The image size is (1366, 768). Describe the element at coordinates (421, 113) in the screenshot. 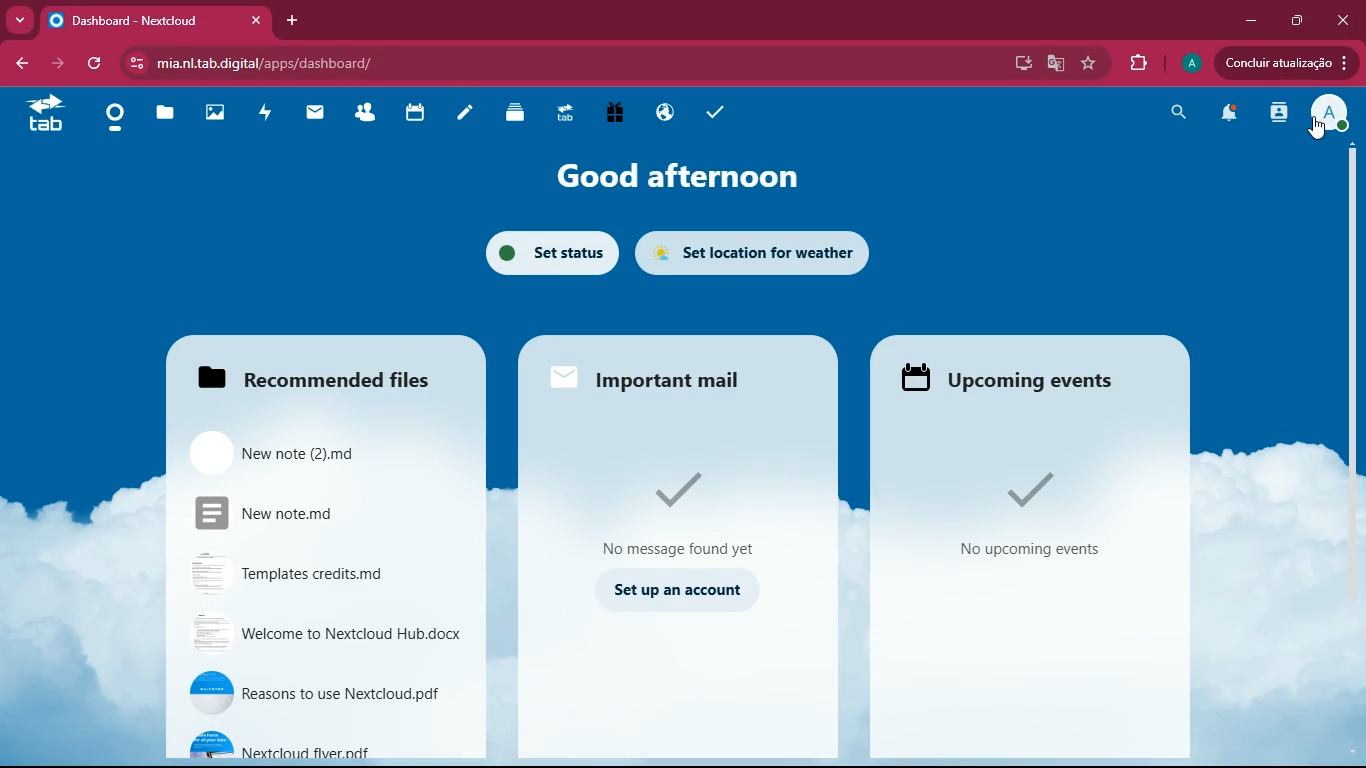

I see `calendar` at that location.